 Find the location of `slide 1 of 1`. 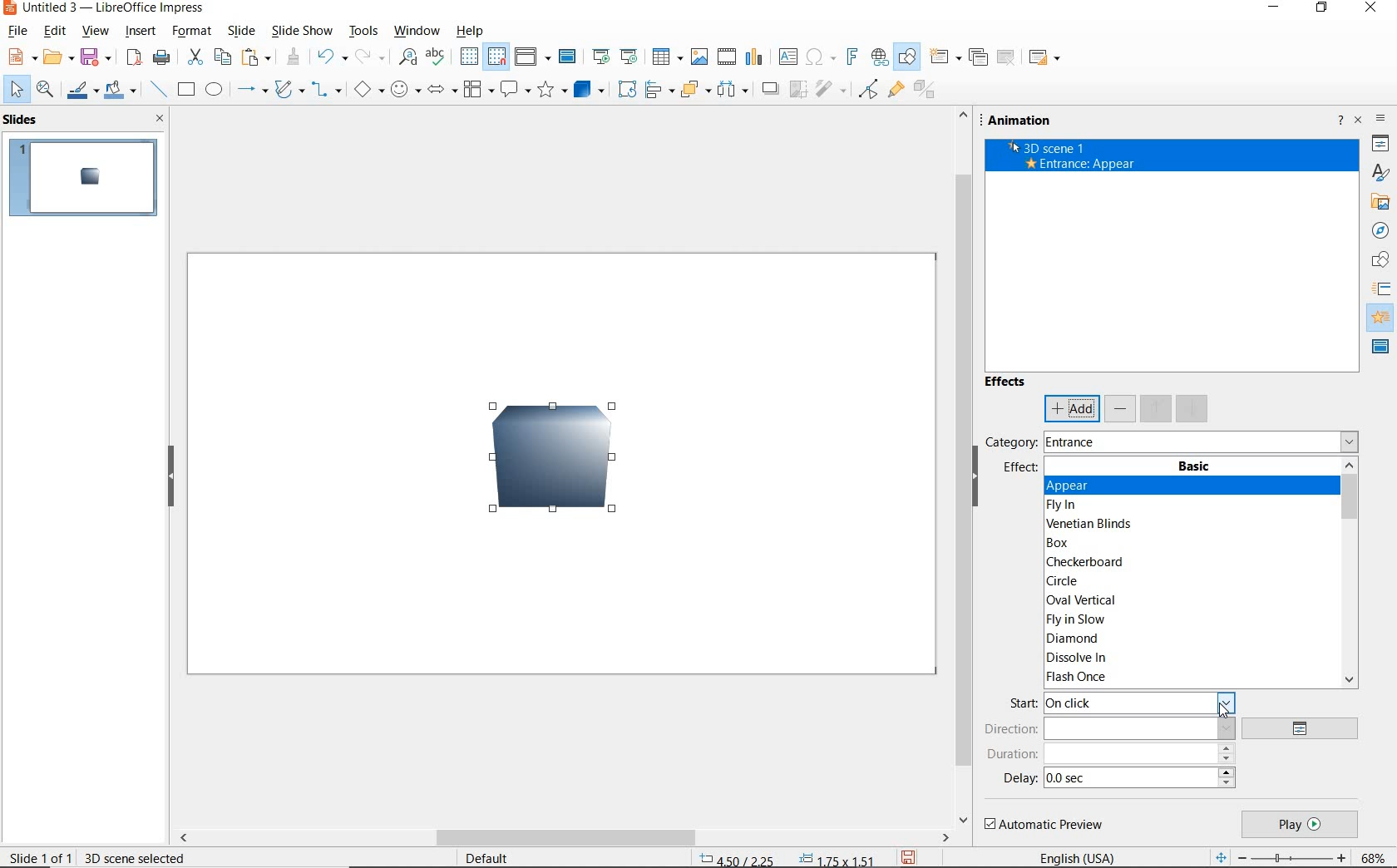

slide 1 of 1 is located at coordinates (41, 856).